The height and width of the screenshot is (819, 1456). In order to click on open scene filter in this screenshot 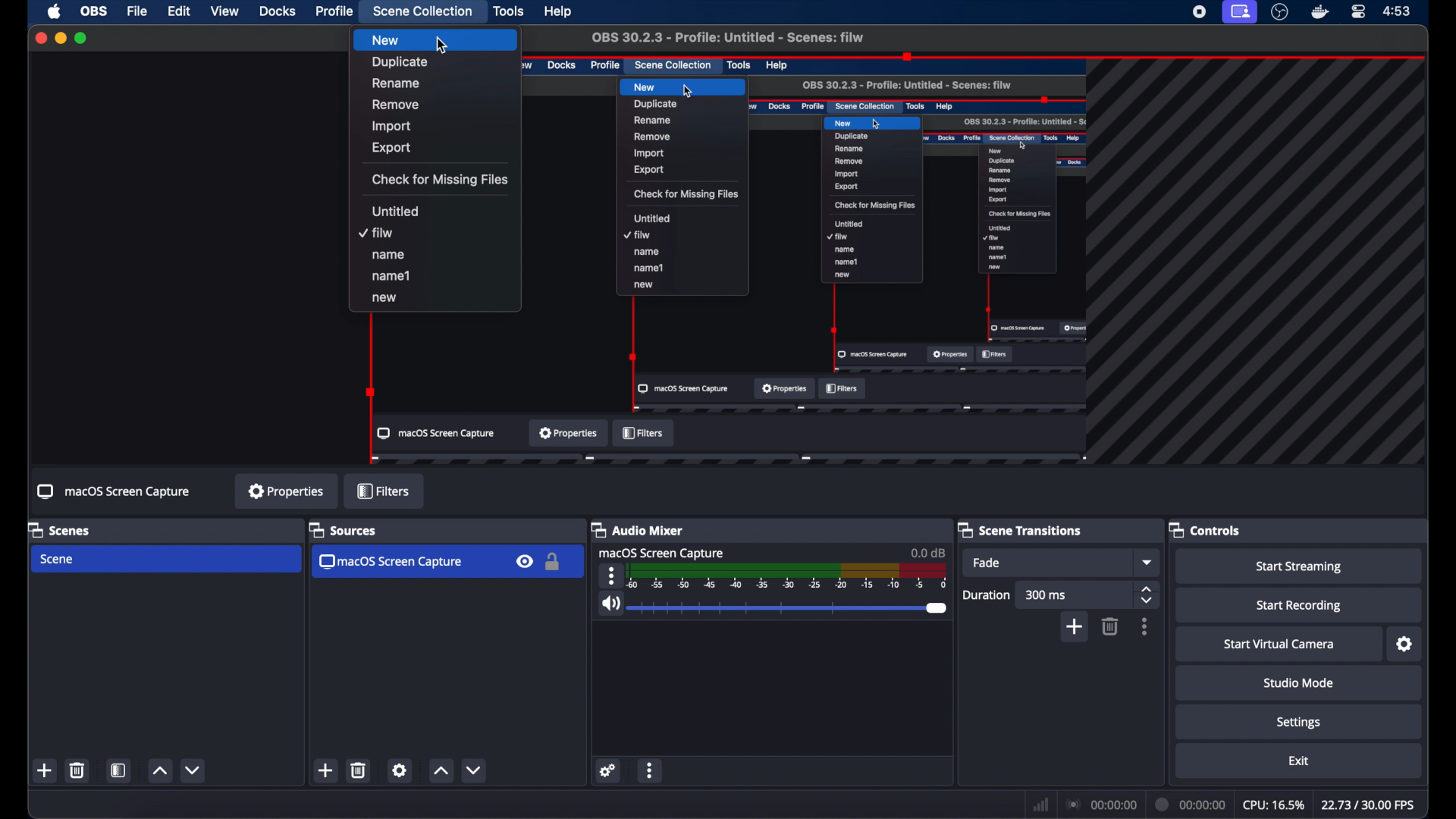, I will do `click(118, 771)`.